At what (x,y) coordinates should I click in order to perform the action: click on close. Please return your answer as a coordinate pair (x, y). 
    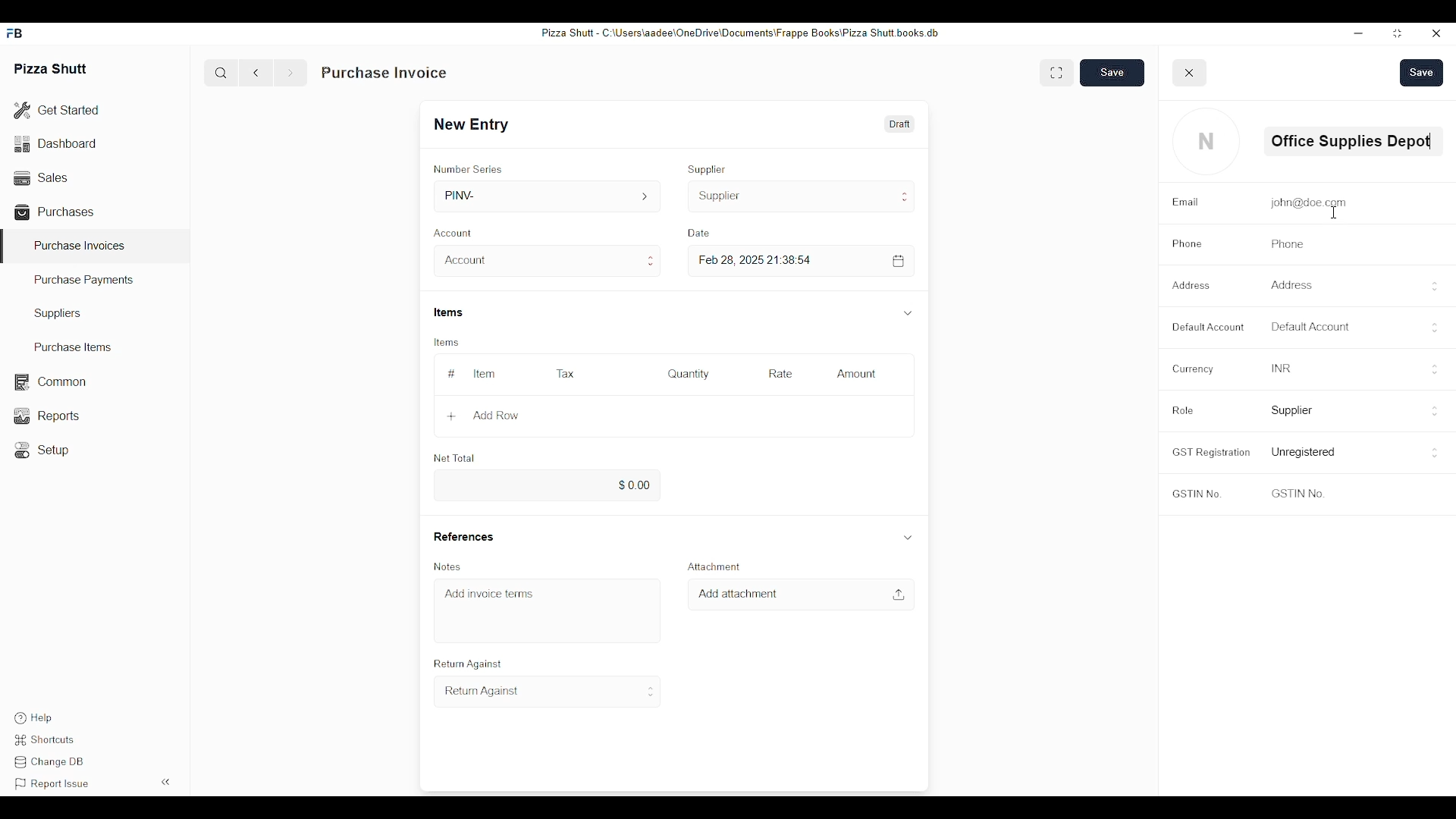
    Looking at the image, I should click on (1190, 73).